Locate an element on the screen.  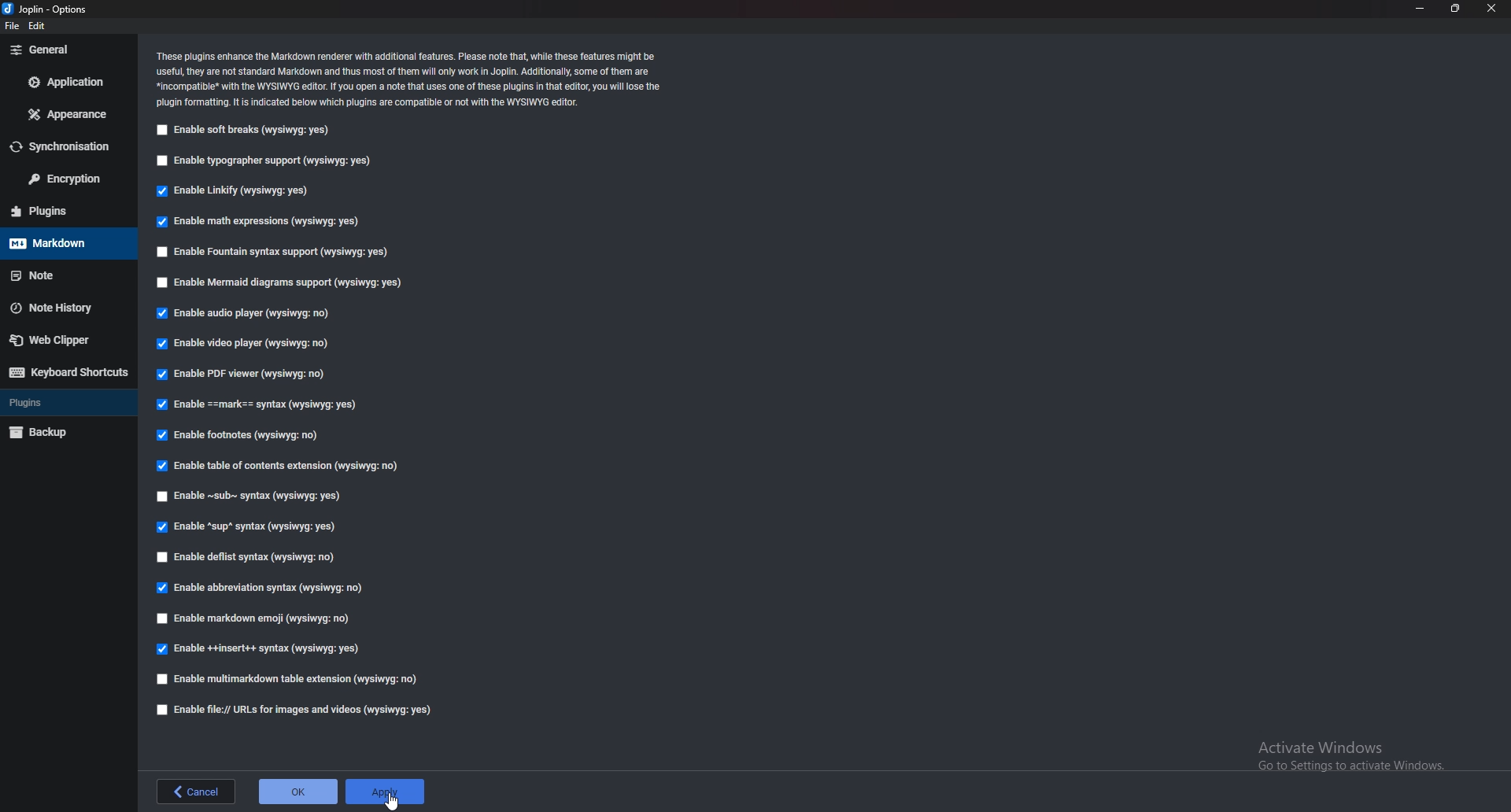
Enable audio player is located at coordinates (246, 312).